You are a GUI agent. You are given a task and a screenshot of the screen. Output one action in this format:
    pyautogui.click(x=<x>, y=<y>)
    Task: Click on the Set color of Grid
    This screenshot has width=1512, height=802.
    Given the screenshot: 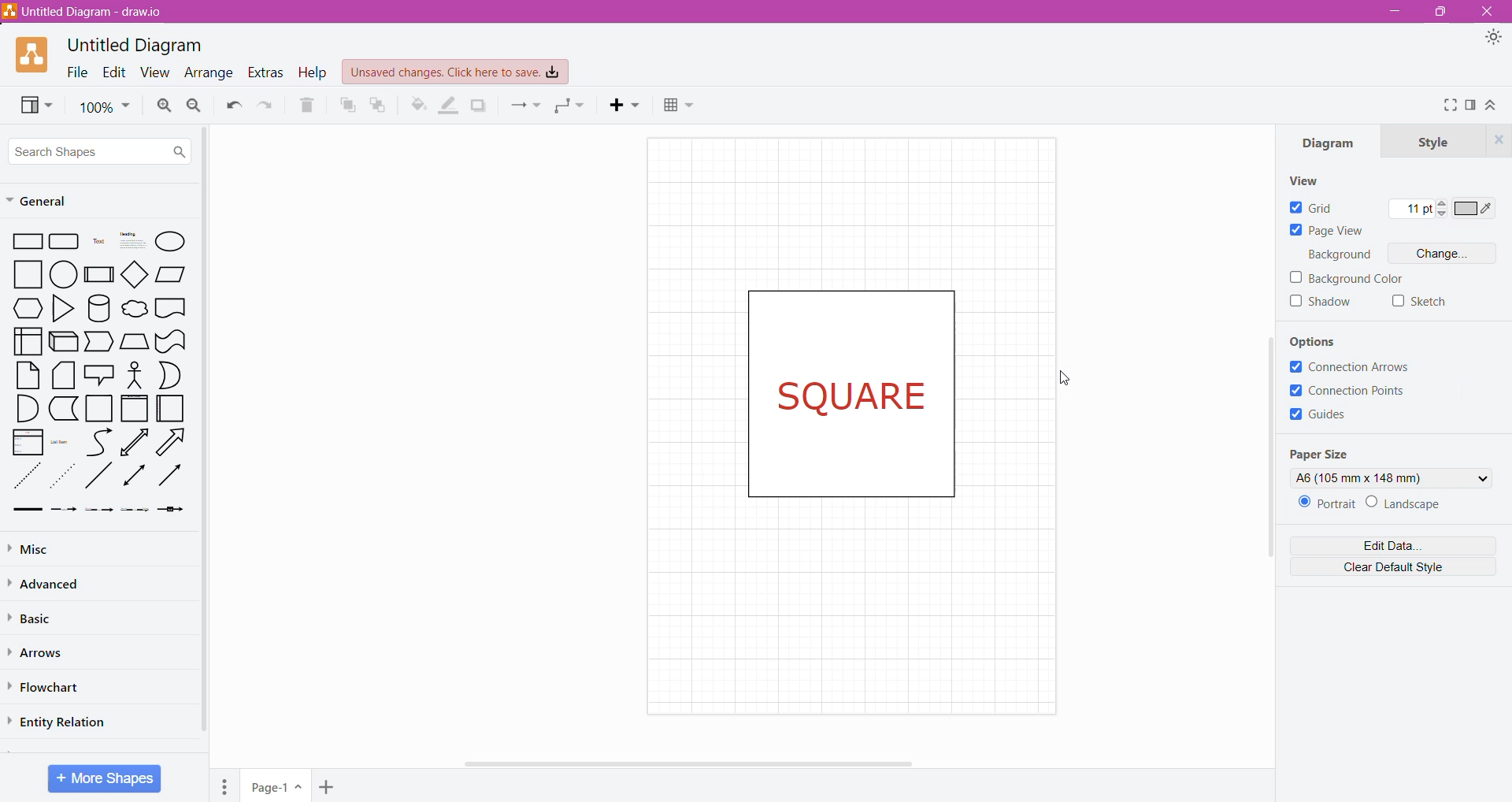 What is the action you would take?
    pyautogui.click(x=1477, y=211)
    